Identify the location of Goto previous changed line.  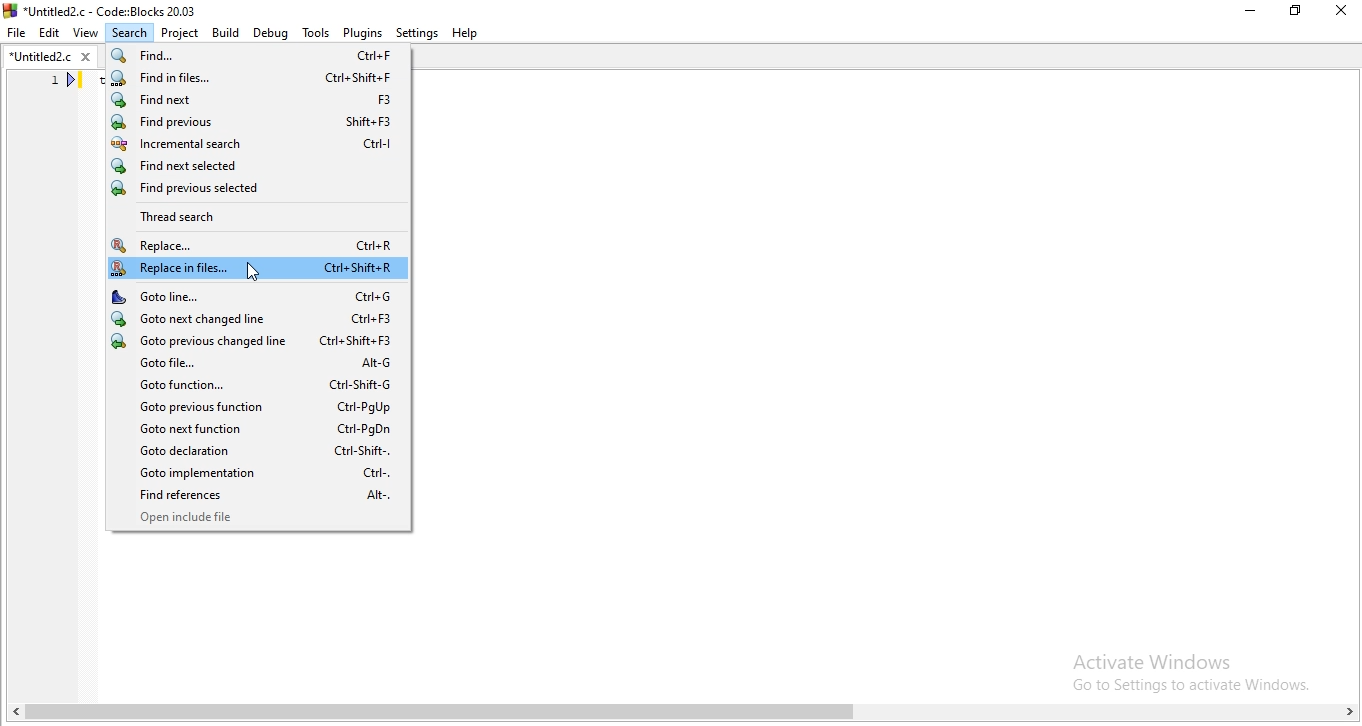
(257, 340).